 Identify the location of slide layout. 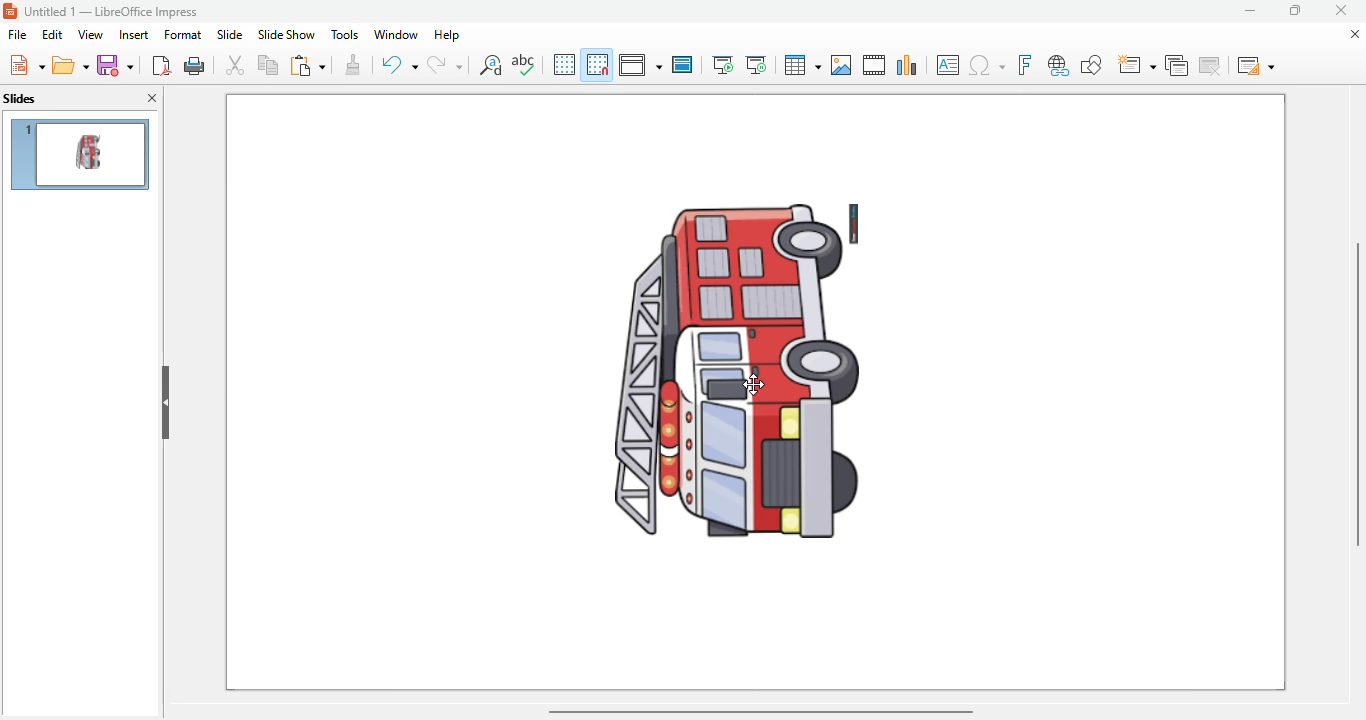
(1254, 64).